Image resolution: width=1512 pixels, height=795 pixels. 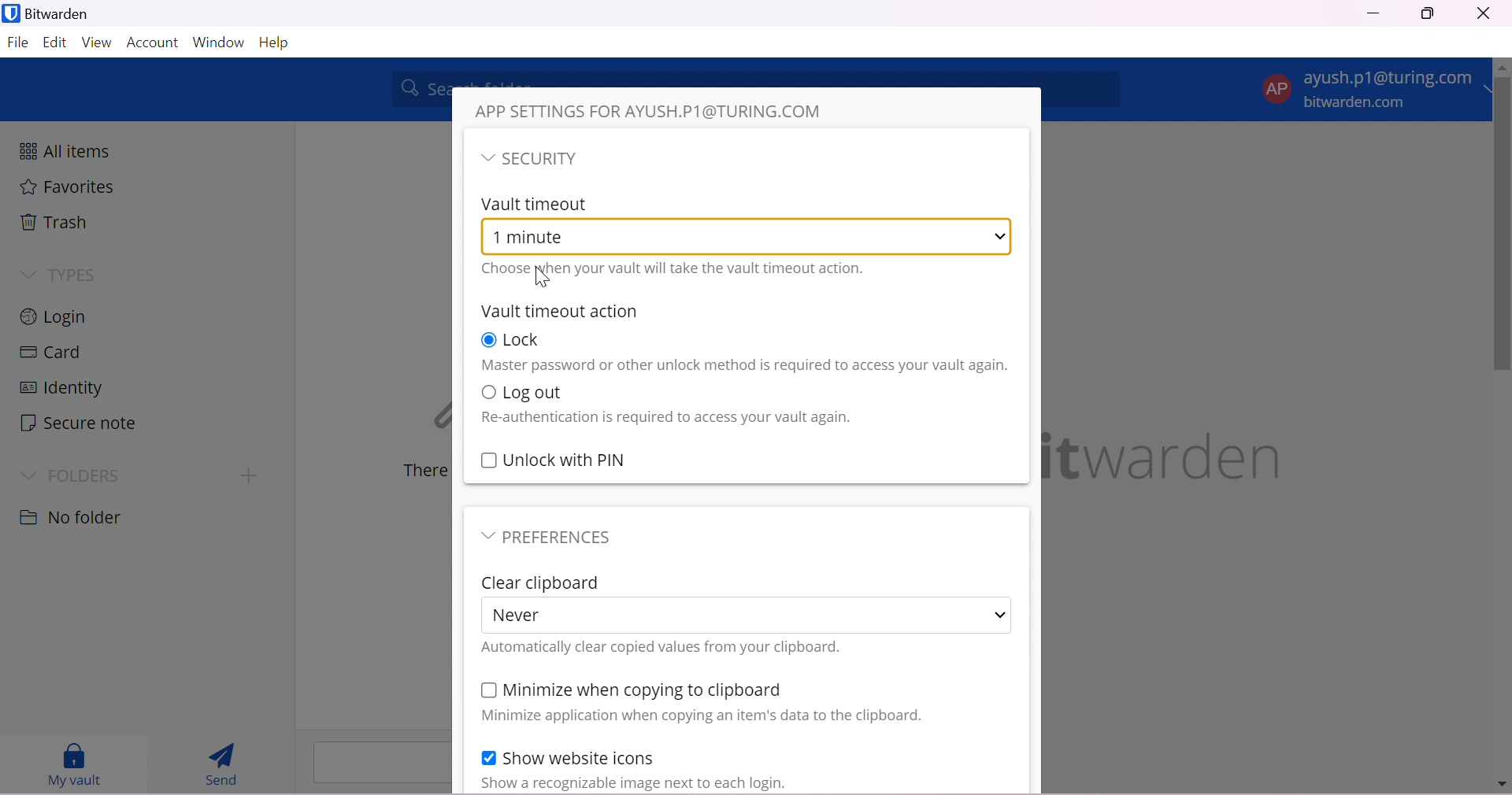 I want to click on No folder, so click(x=73, y=520).